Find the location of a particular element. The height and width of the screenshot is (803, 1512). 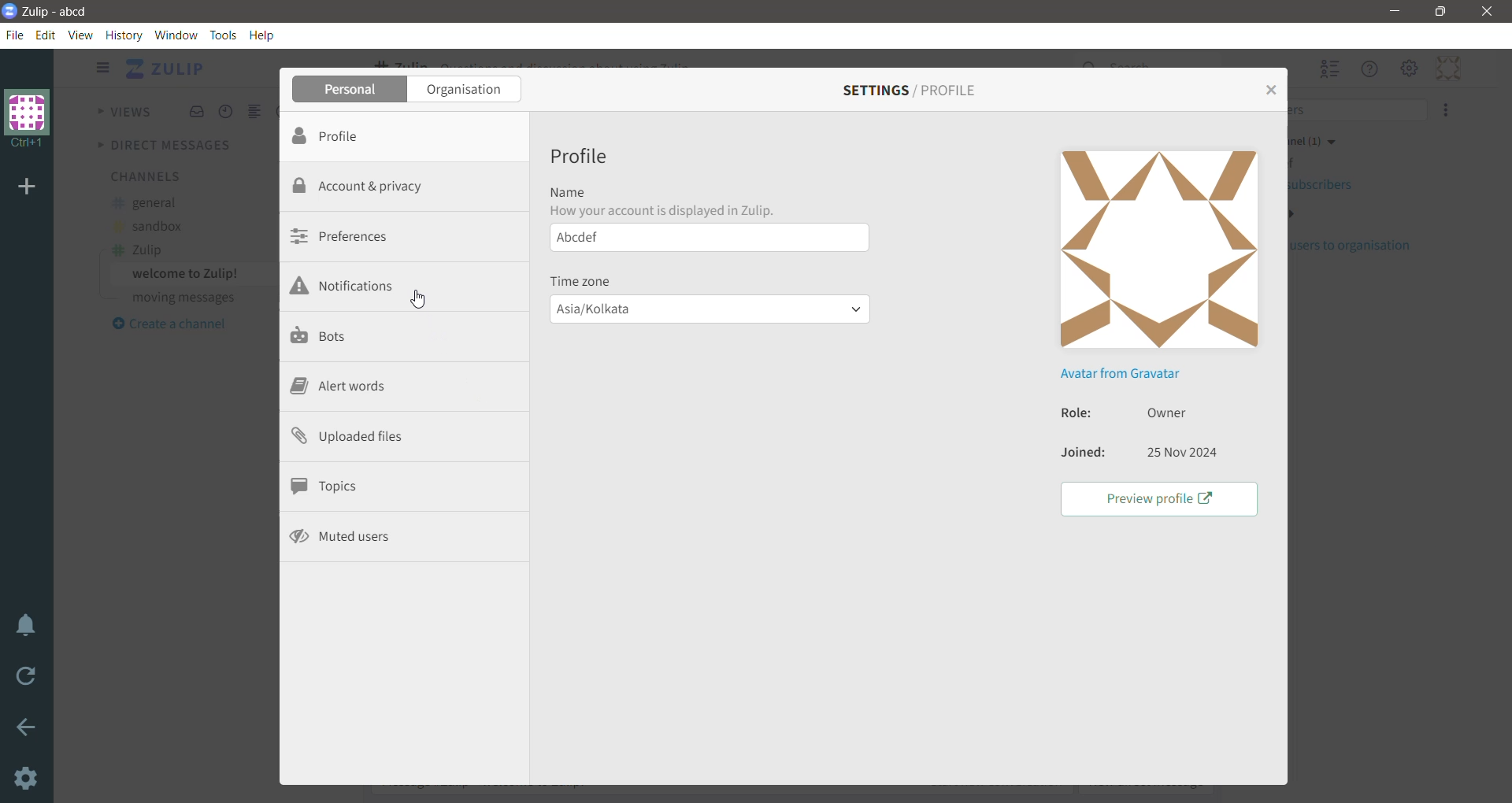

Close is located at coordinates (1487, 12).